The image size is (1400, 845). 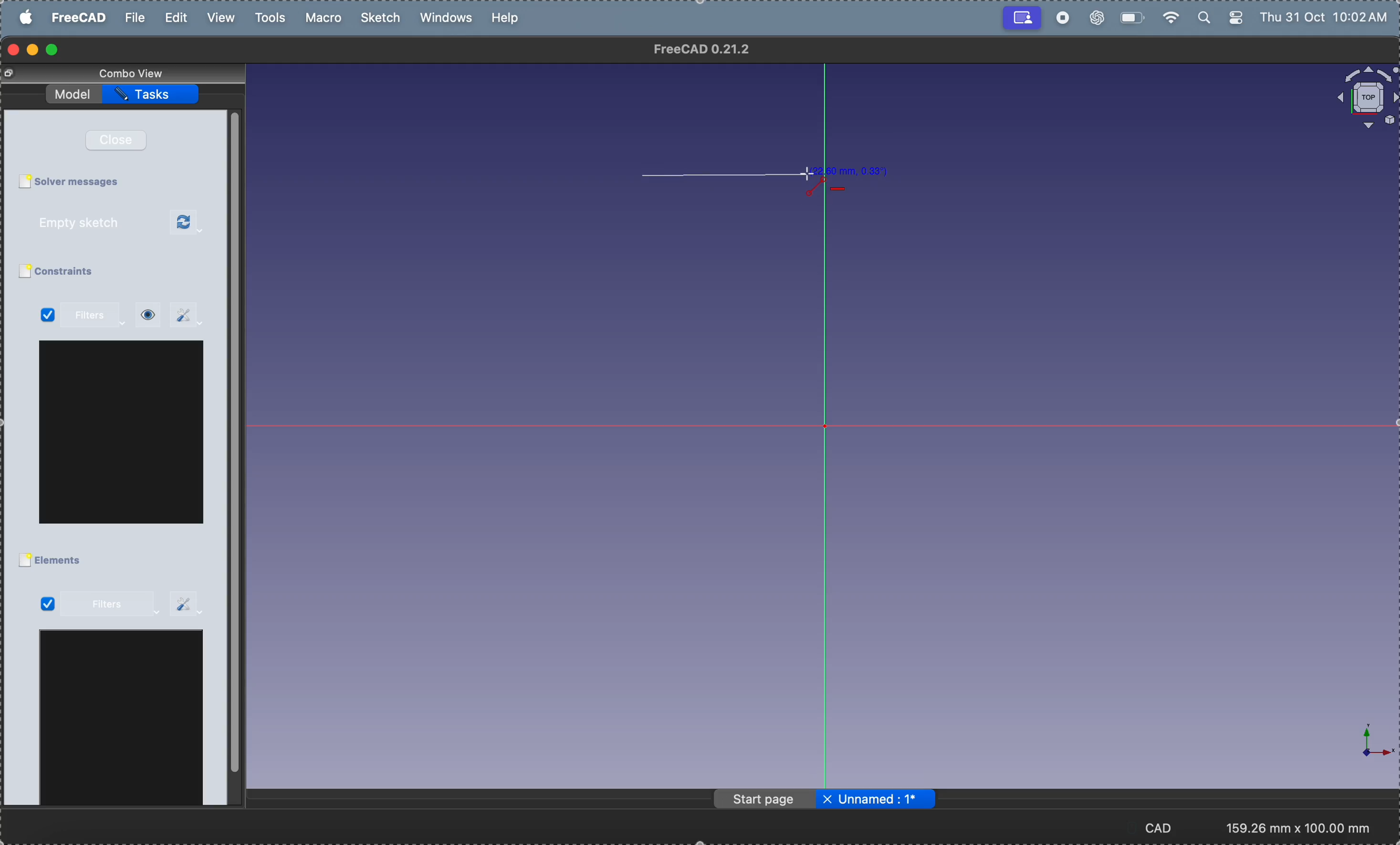 What do you see at coordinates (887, 799) in the screenshot?
I see `Unnamed: 1` at bounding box center [887, 799].